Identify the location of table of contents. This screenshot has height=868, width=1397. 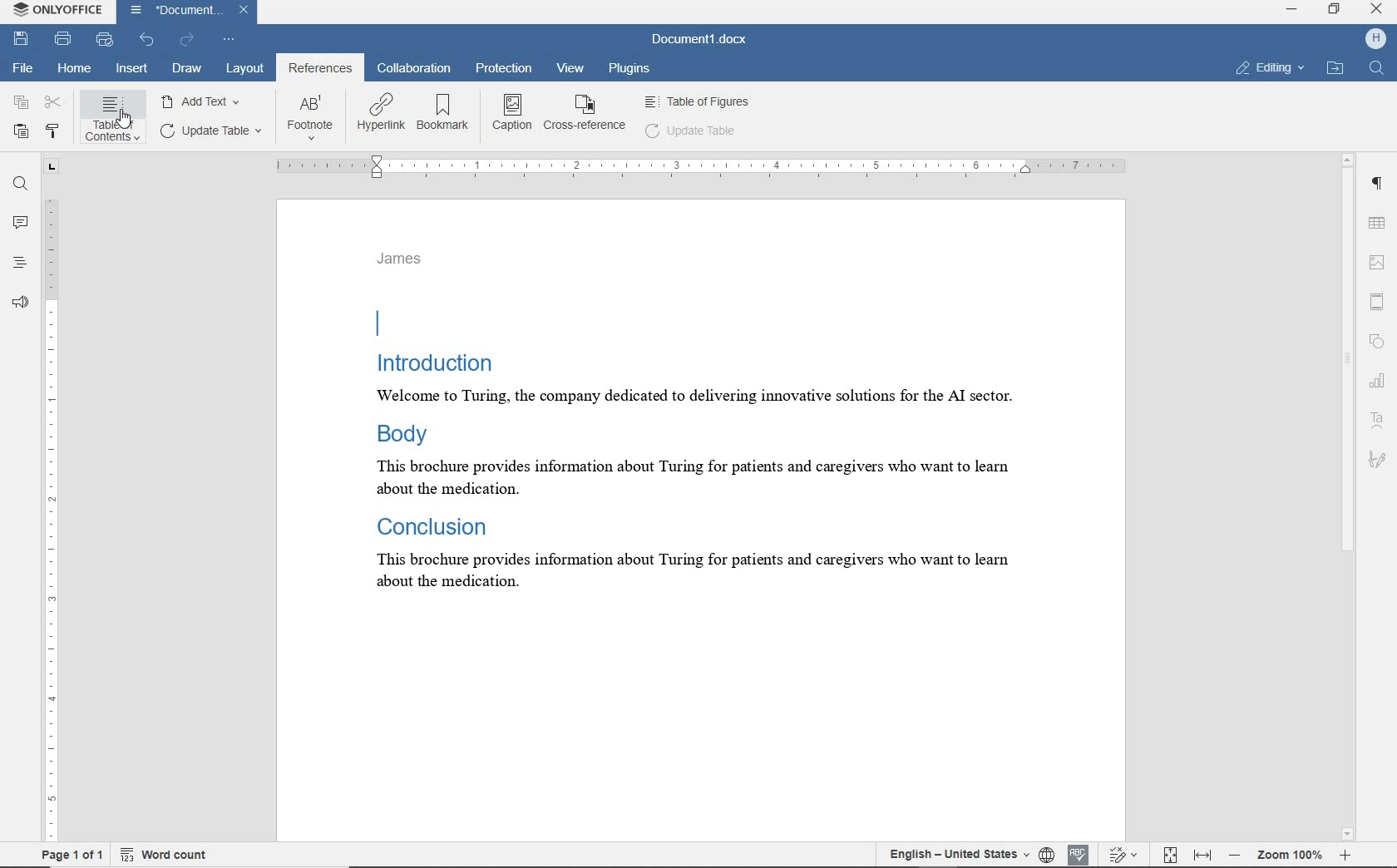
(115, 121).